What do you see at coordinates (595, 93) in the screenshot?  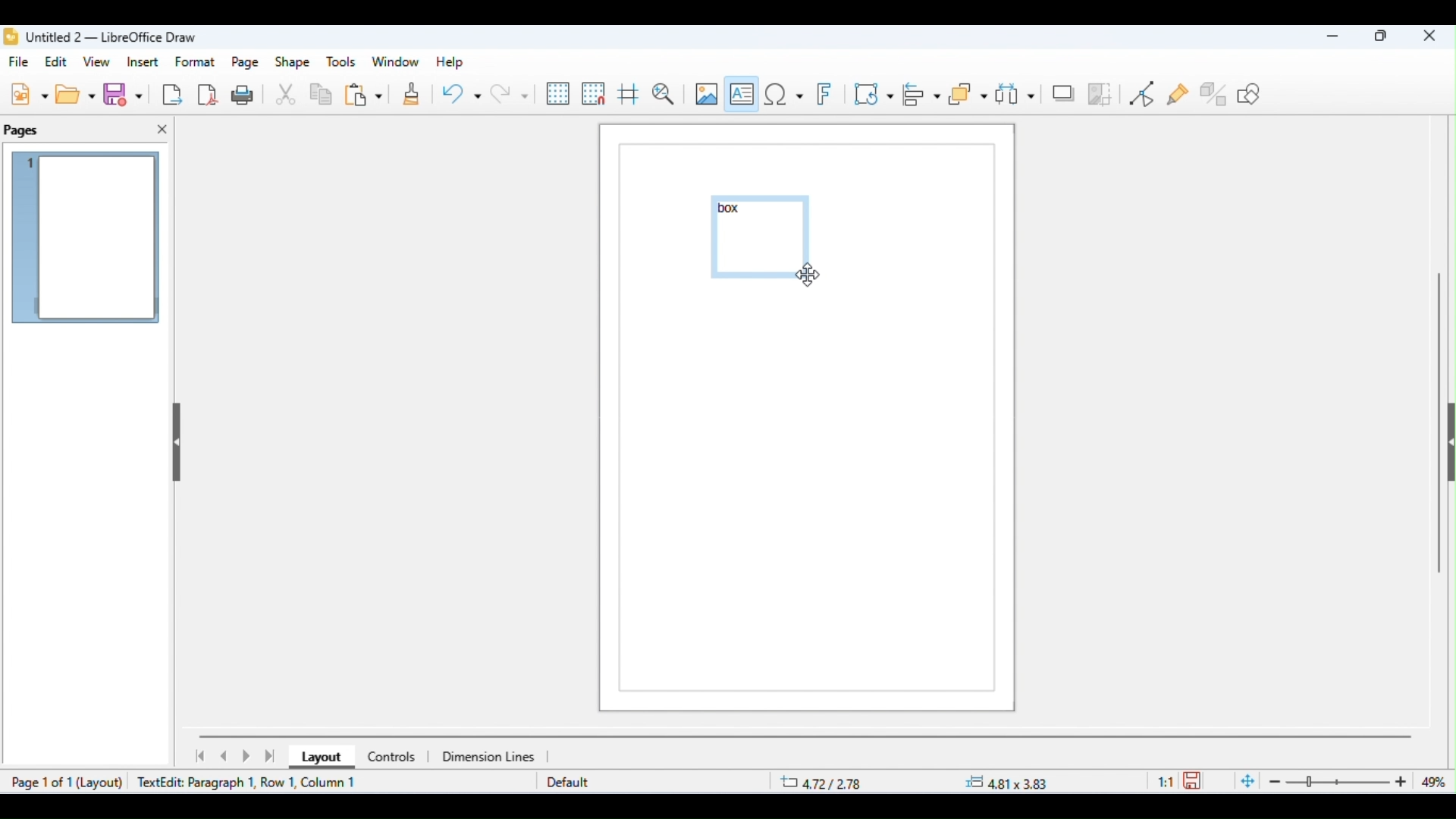 I see `snap to grid` at bounding box center [595, 93].